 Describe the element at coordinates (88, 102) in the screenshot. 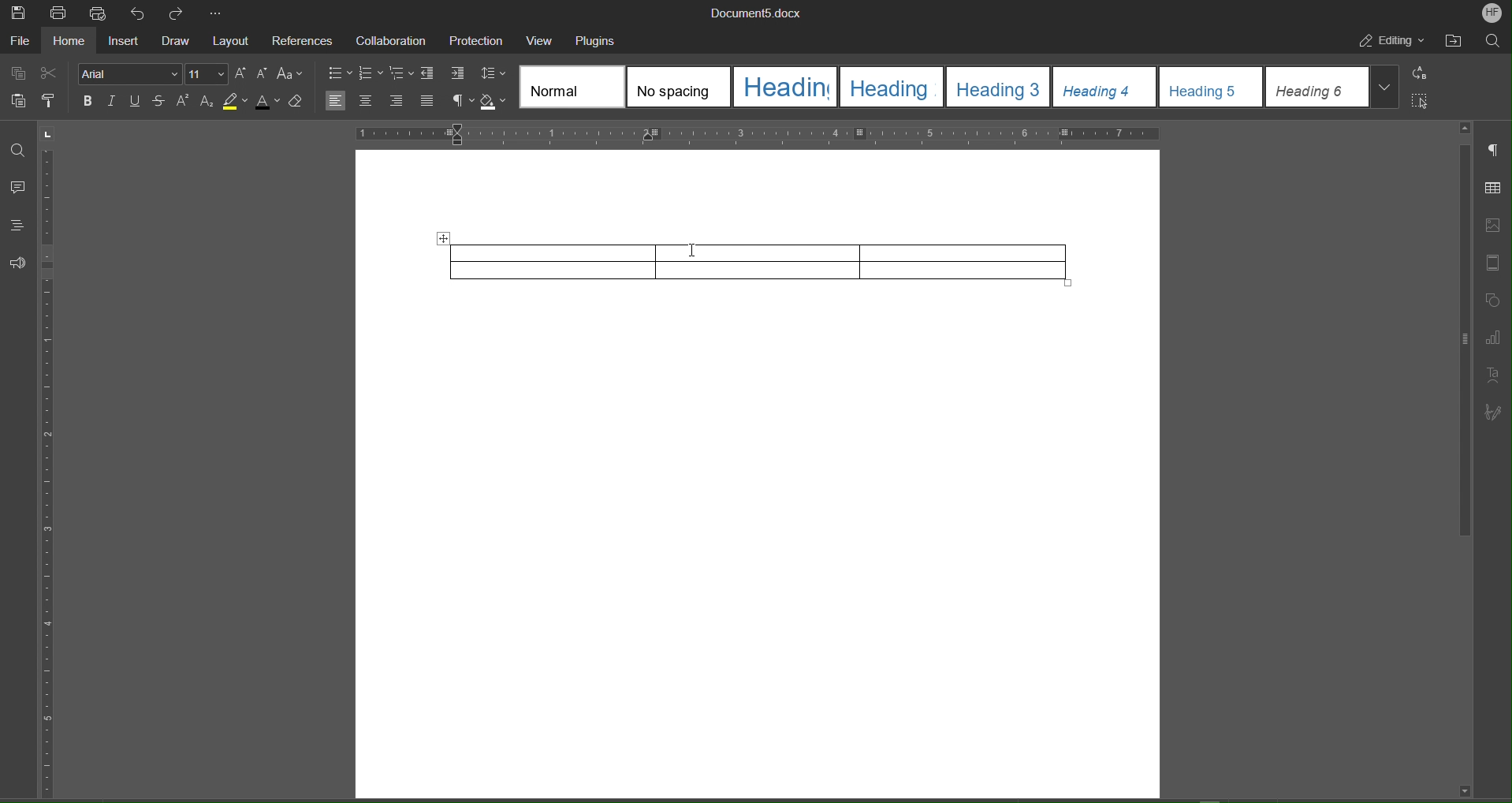

I see `Bold` at that location.